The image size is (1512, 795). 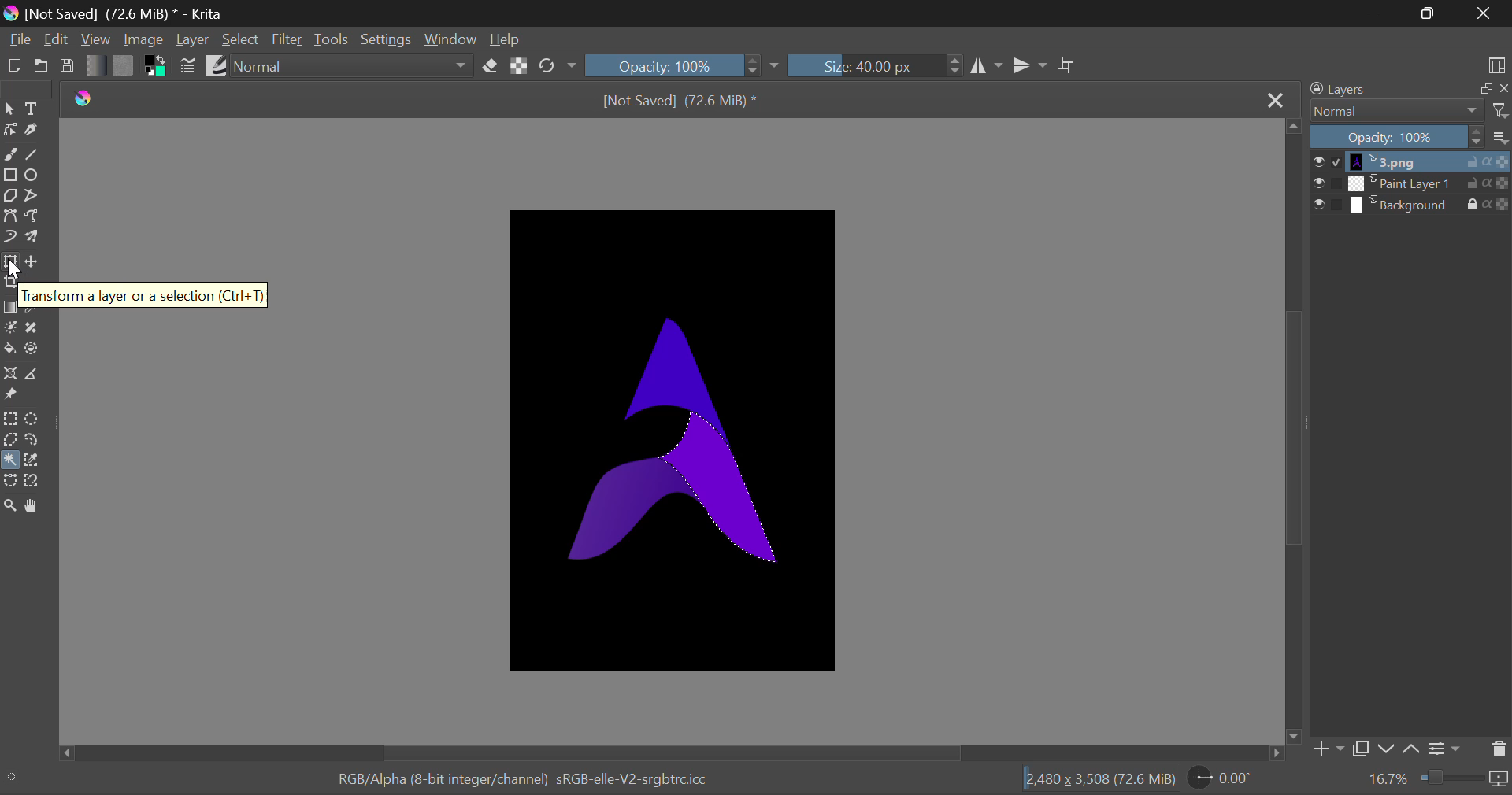 What do you see at coordinates (1499, 113) in the screenshot?
I see `filter` at bounding box center [1499, 113].